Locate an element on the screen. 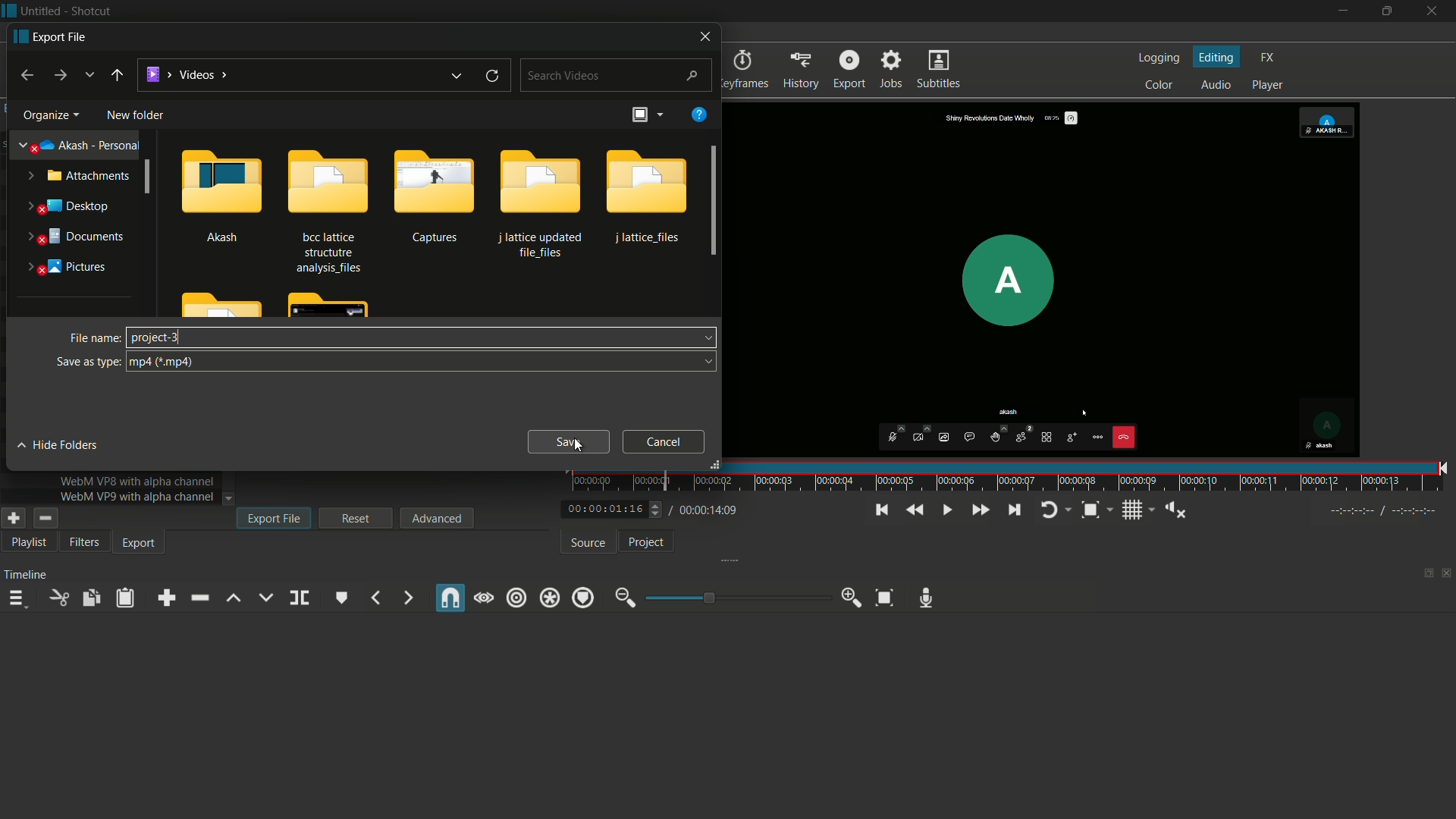 The width and height of the screenshot is (1456, 819). documents is located at coordinates (74, 237).